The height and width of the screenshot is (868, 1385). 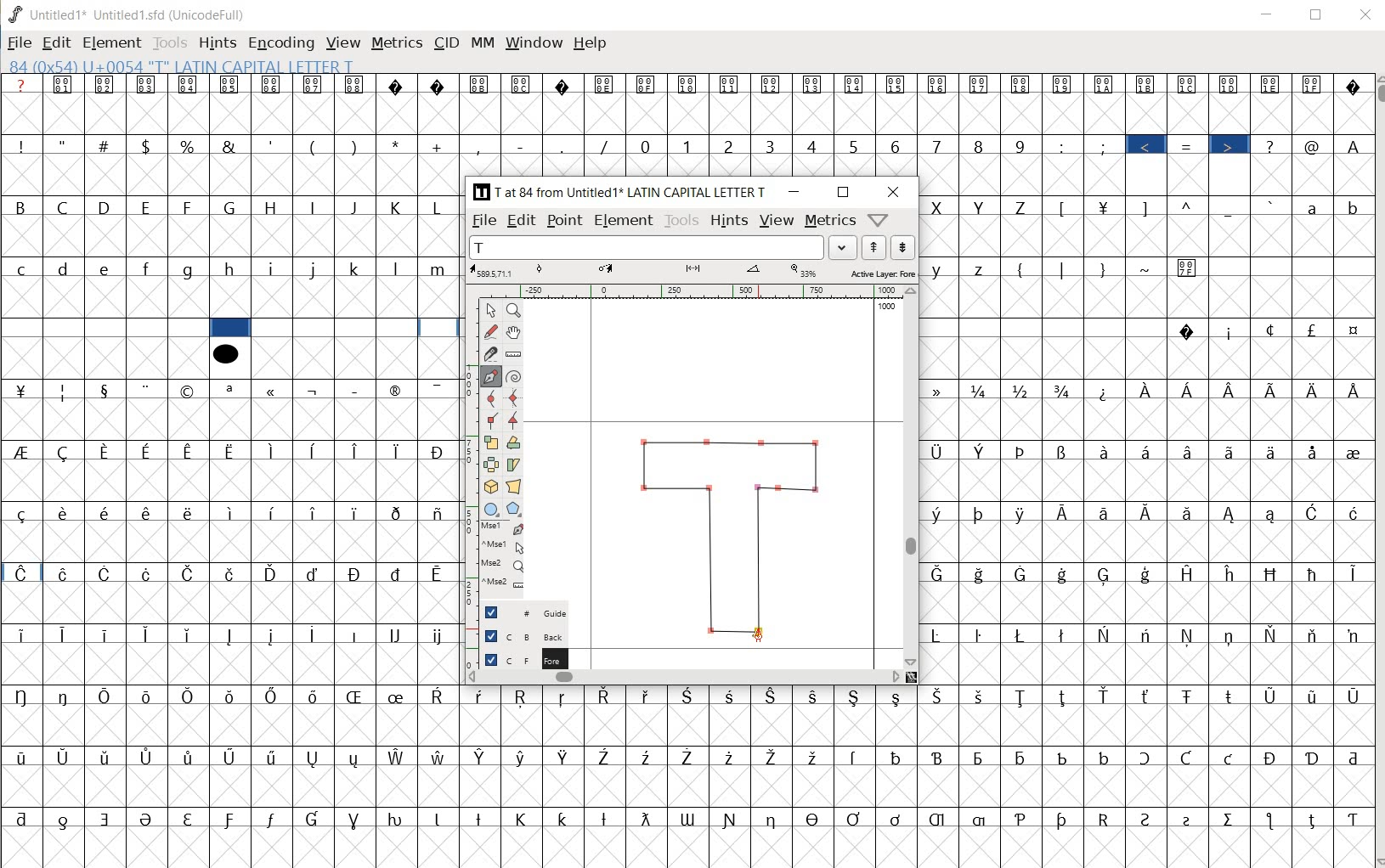 I want to click on Symbol, so click(x=1272, y=696).